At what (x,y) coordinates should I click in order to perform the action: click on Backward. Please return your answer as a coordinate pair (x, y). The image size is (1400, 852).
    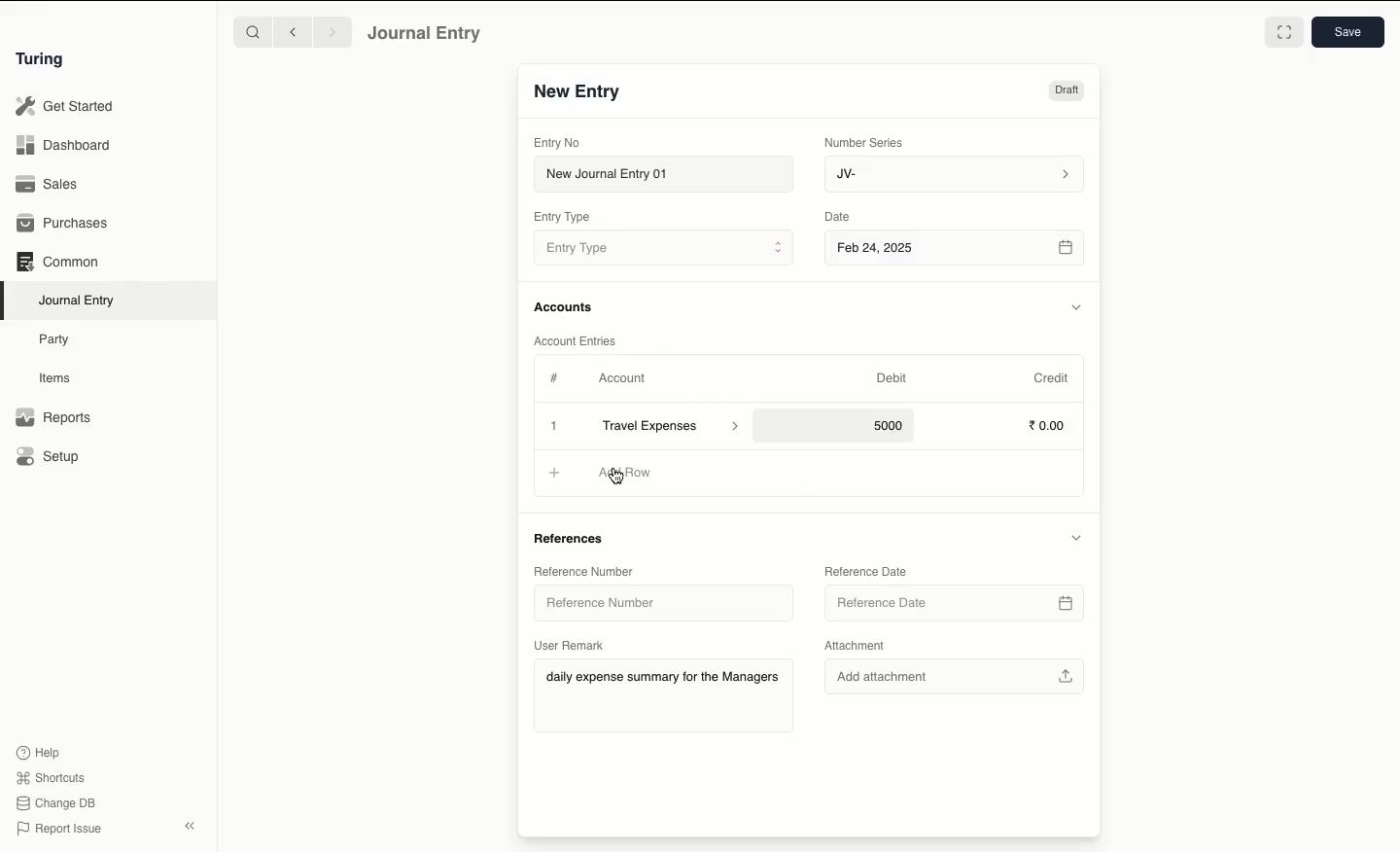
    Looking at the image, I should click on (293, 31).